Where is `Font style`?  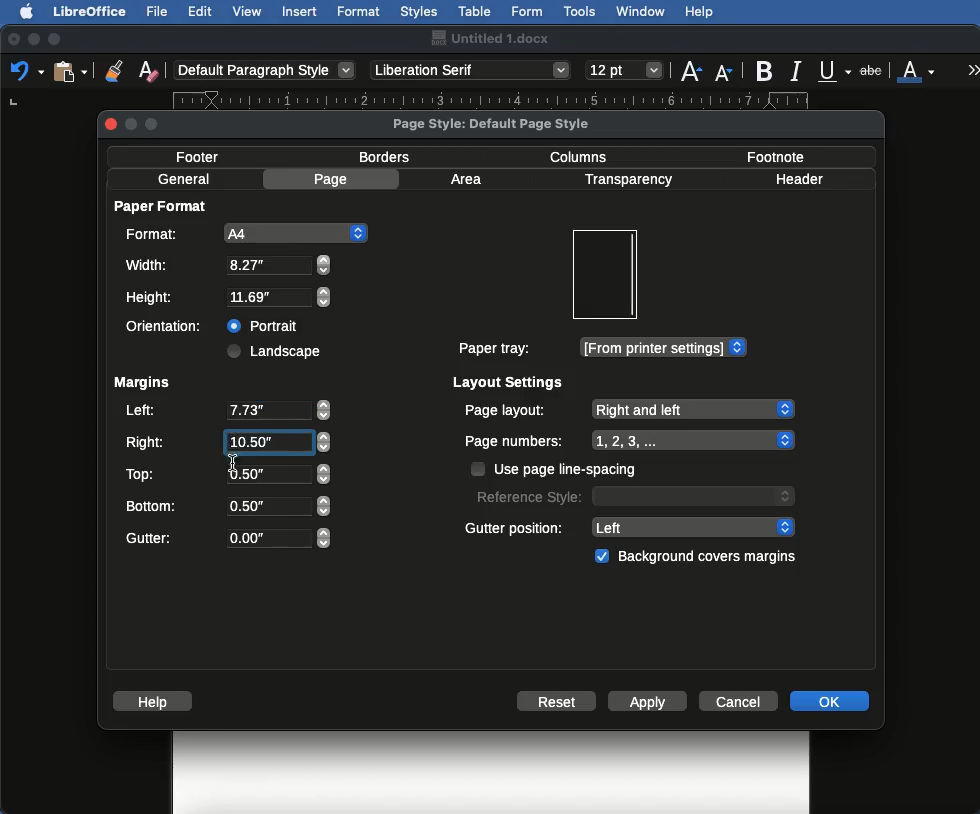 Font style is located at coordinates (472, 70).